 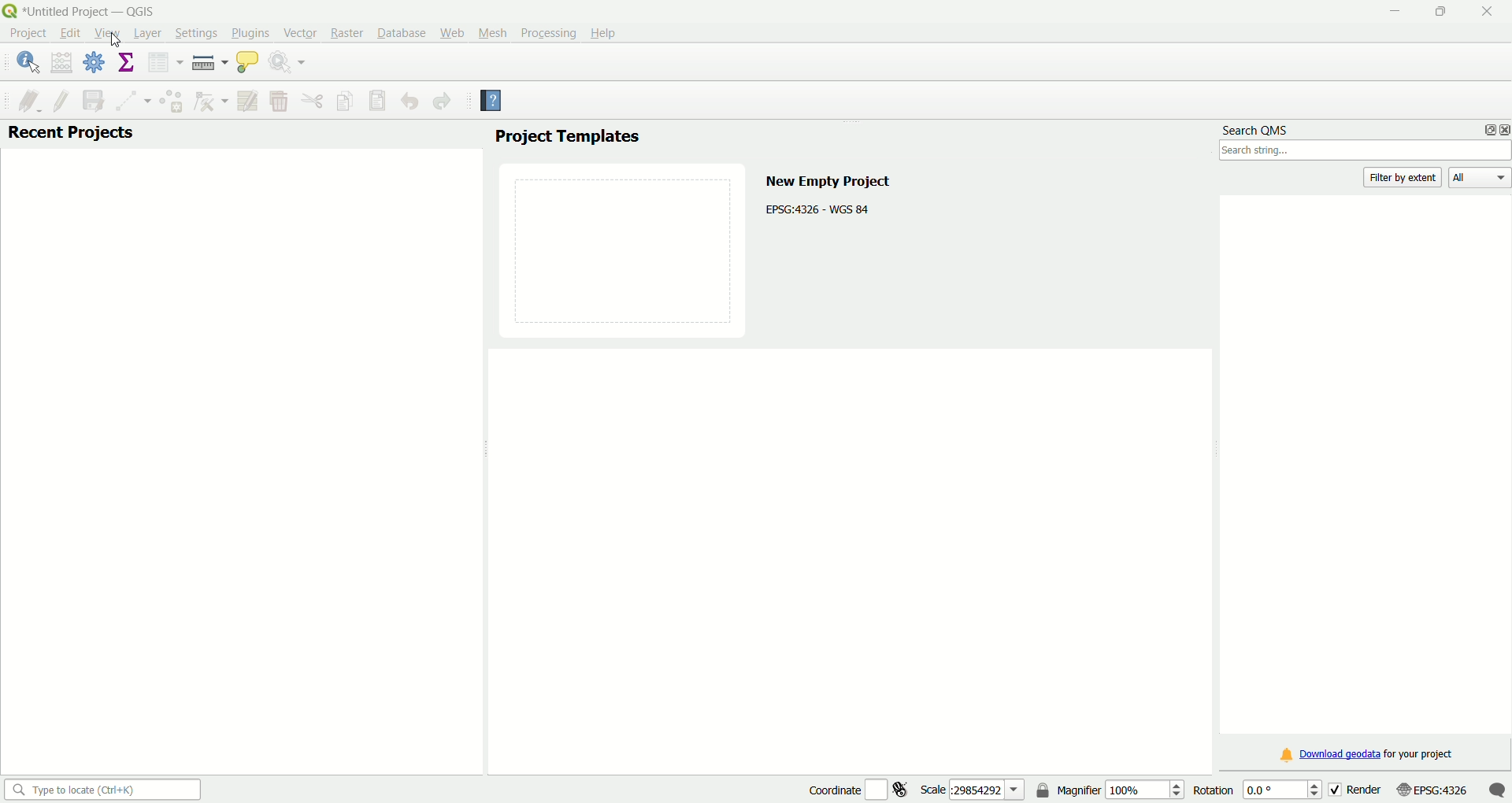 What do you see at coordinates (409, 102) in the screenshot?
I see `undo` at bounding box center [409, 102].